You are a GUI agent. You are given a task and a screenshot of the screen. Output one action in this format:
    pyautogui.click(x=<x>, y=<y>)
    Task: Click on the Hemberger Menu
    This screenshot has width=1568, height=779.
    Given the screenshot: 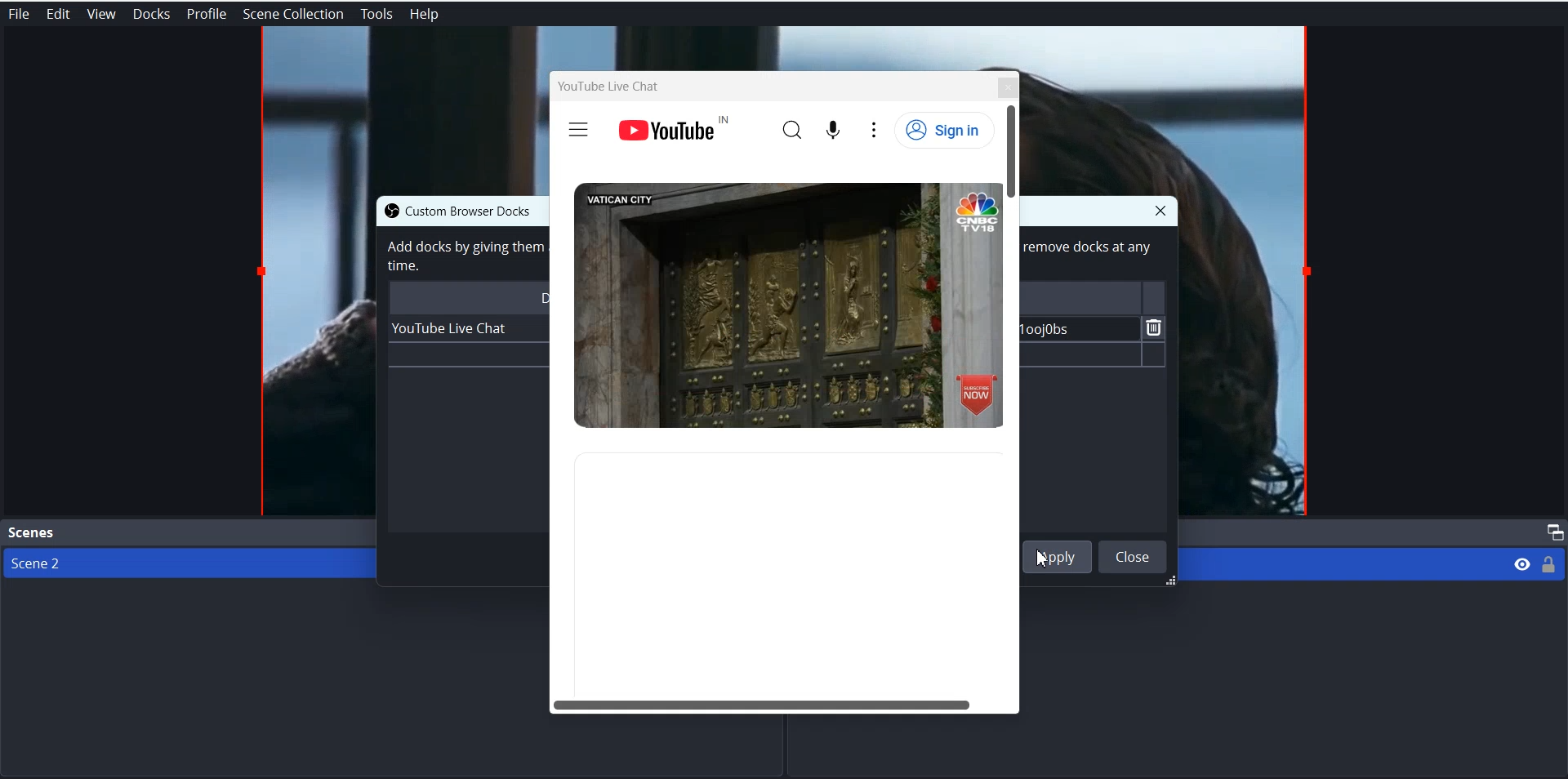 What is the action you would take?
    pyautogui.click(x=578, y=131)
    